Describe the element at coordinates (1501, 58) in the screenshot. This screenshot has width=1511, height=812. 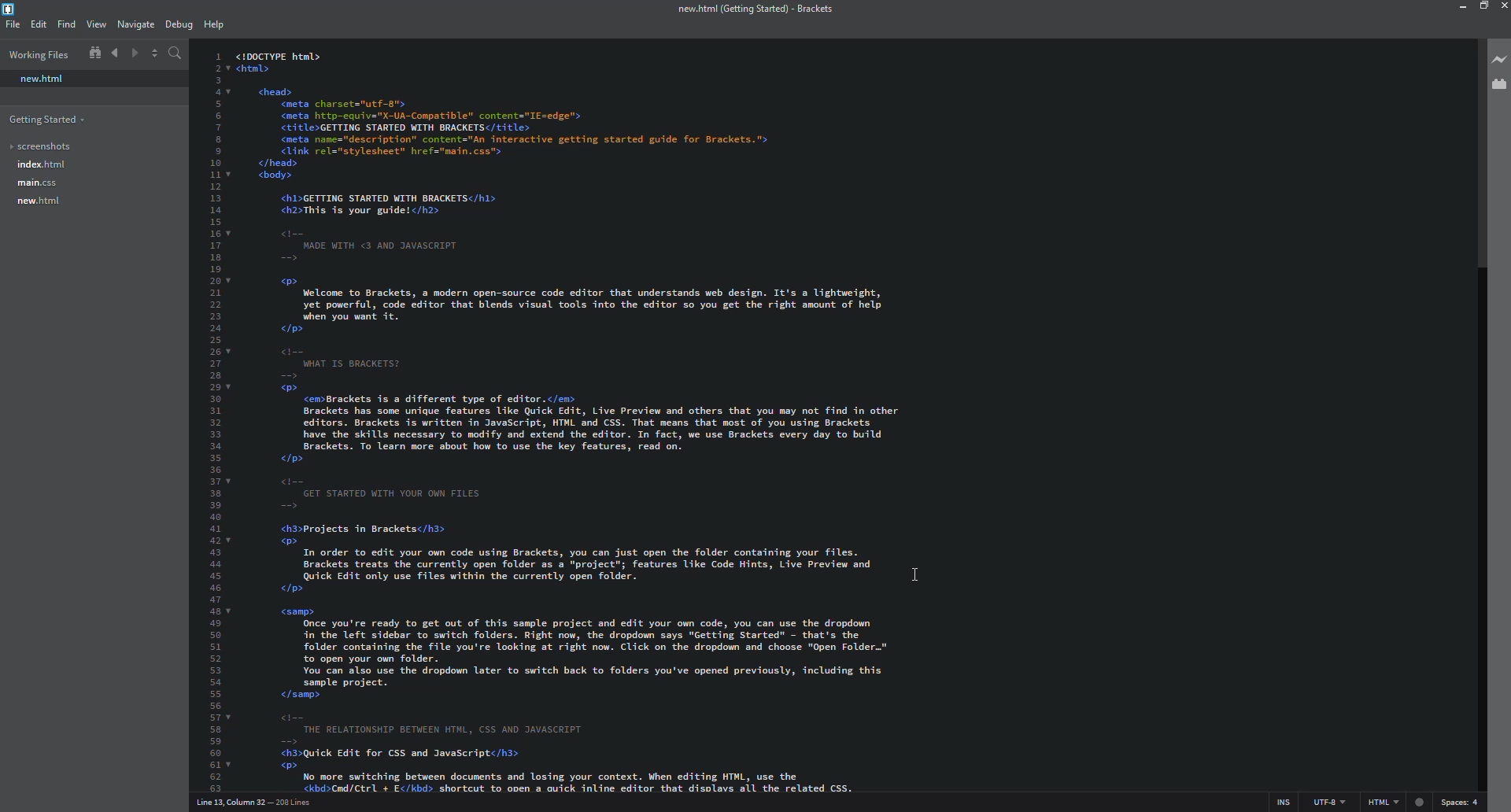
I see `live preview` at that location.